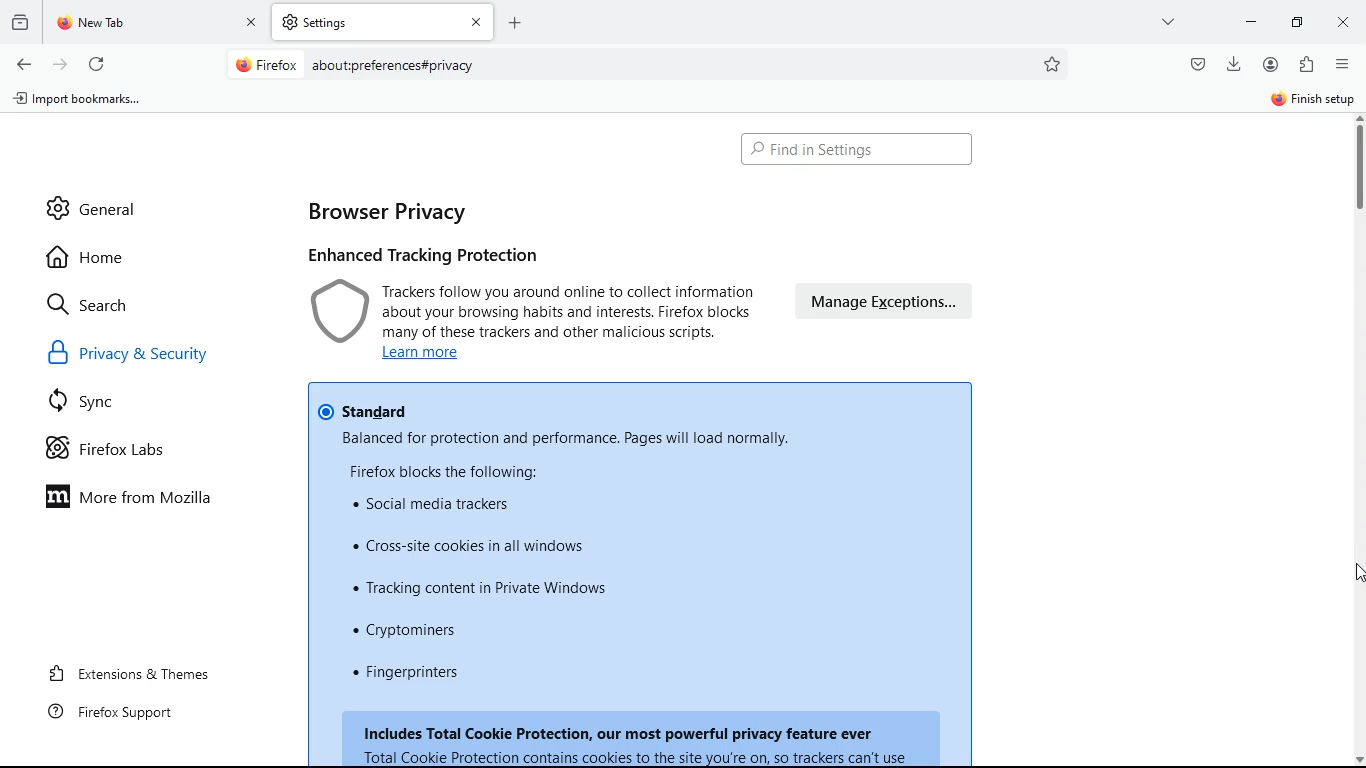 This screenshot has width=1366, height=768. What do you see at coordinates (96, 61) in the screenshot?
I see `refresh` at bounding box center [96, 61].